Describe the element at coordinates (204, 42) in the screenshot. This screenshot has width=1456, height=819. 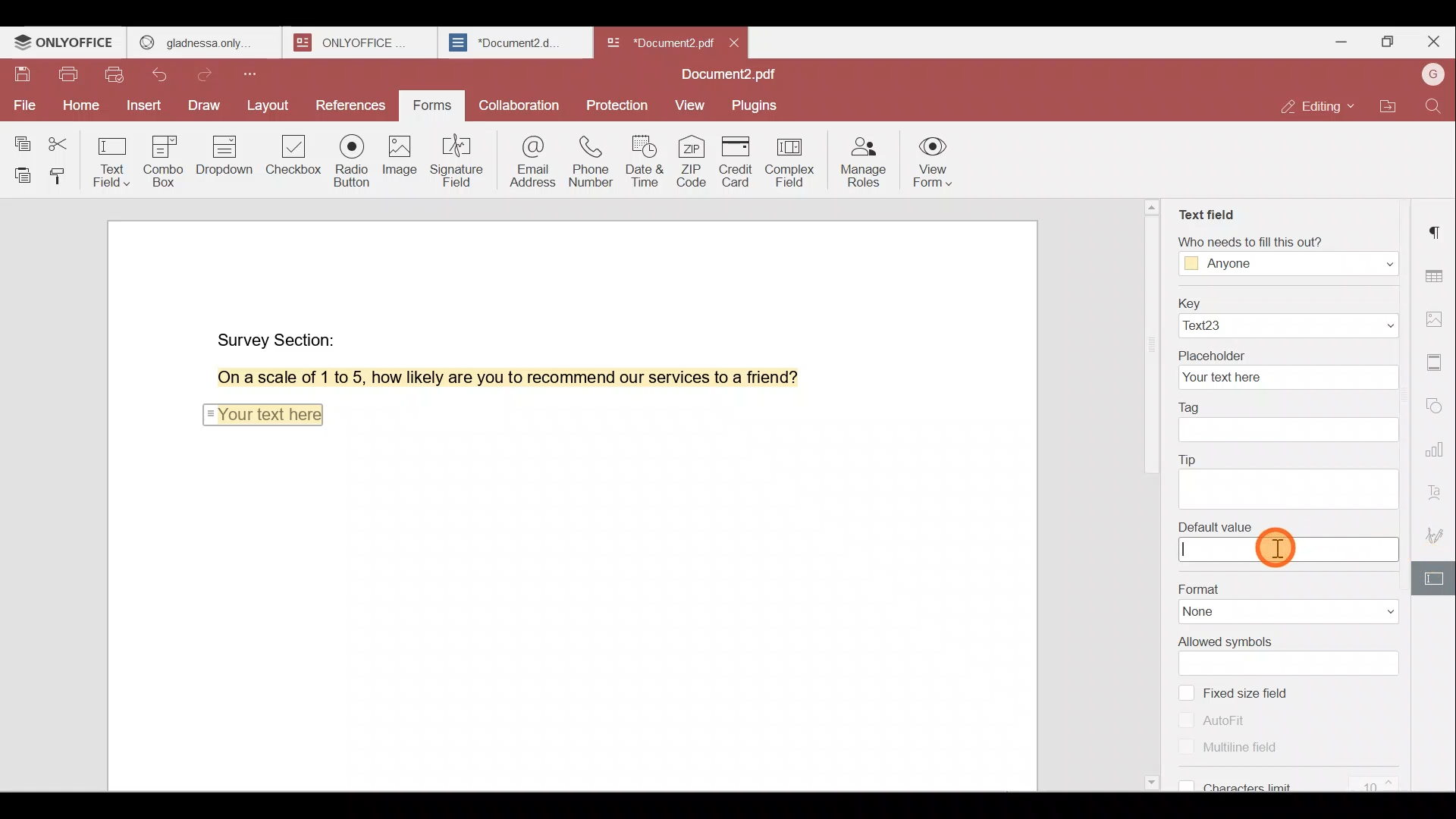
I see `gladness only` at that location.